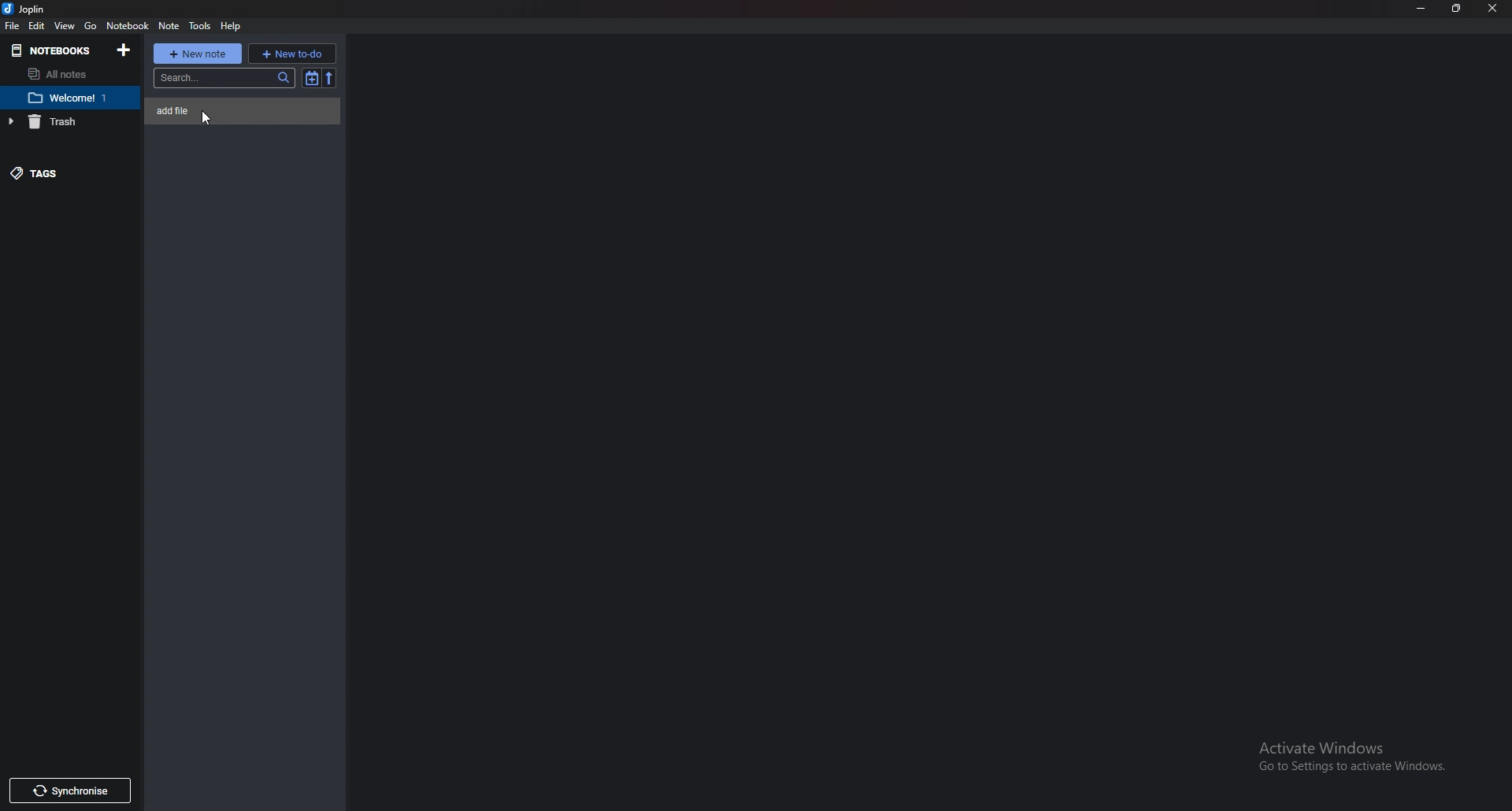 The height and width of the screenshot is (811, 1512). I want to click on Minimize, so click(1422, 8).